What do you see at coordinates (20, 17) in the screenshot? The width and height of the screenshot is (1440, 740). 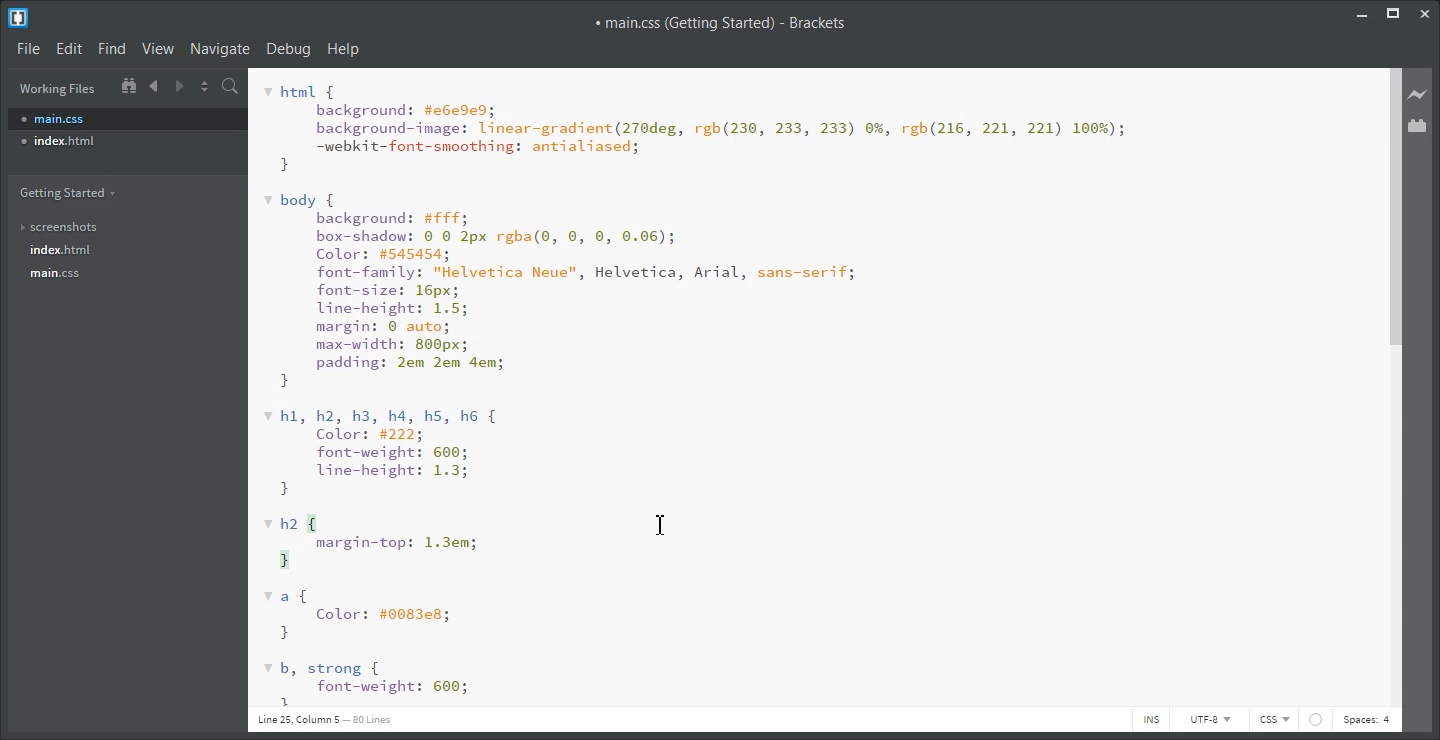 I see `Logo` at bounding box center [20, 17].